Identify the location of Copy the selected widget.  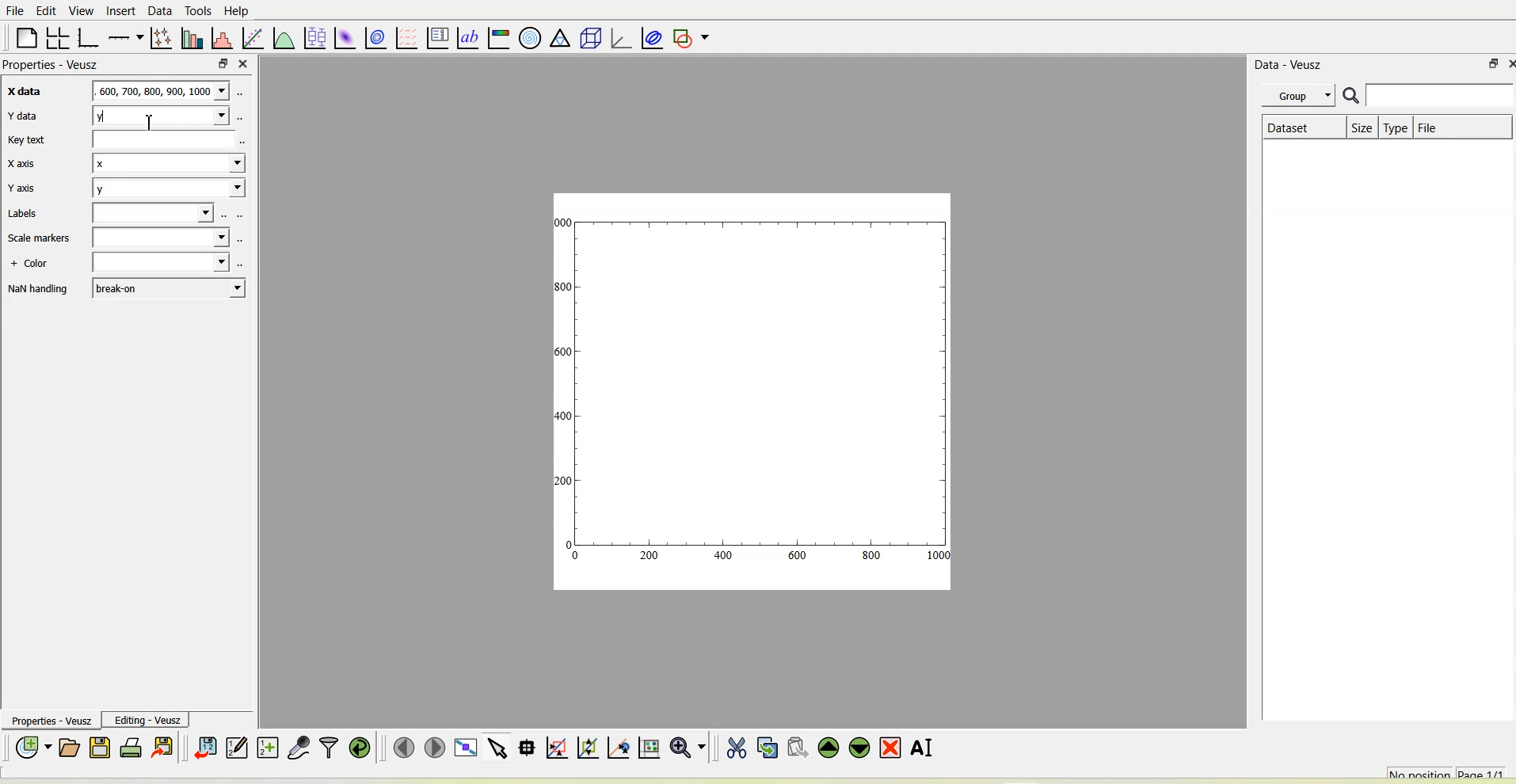
(768, 748).